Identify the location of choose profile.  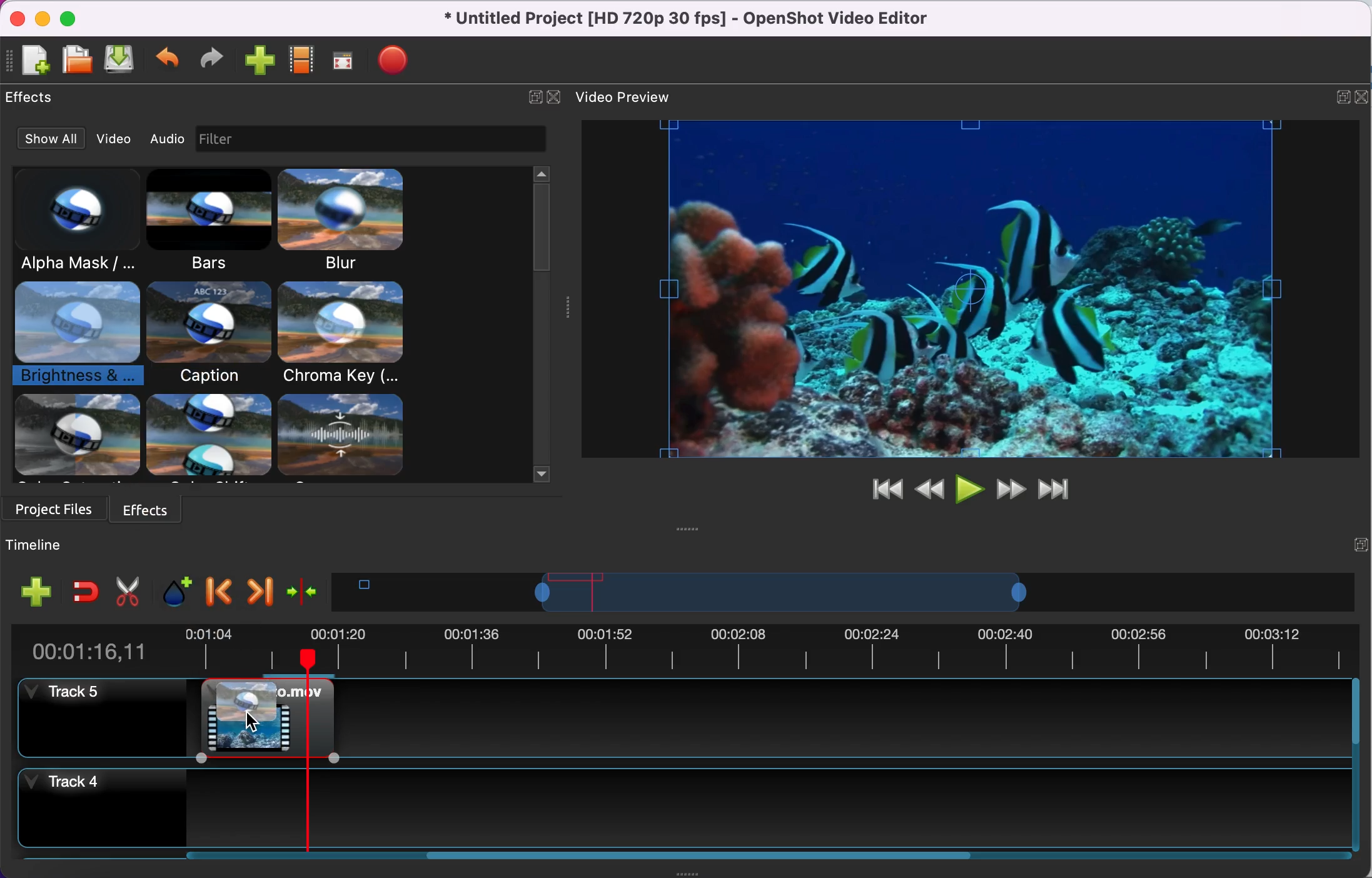
(301, 61).